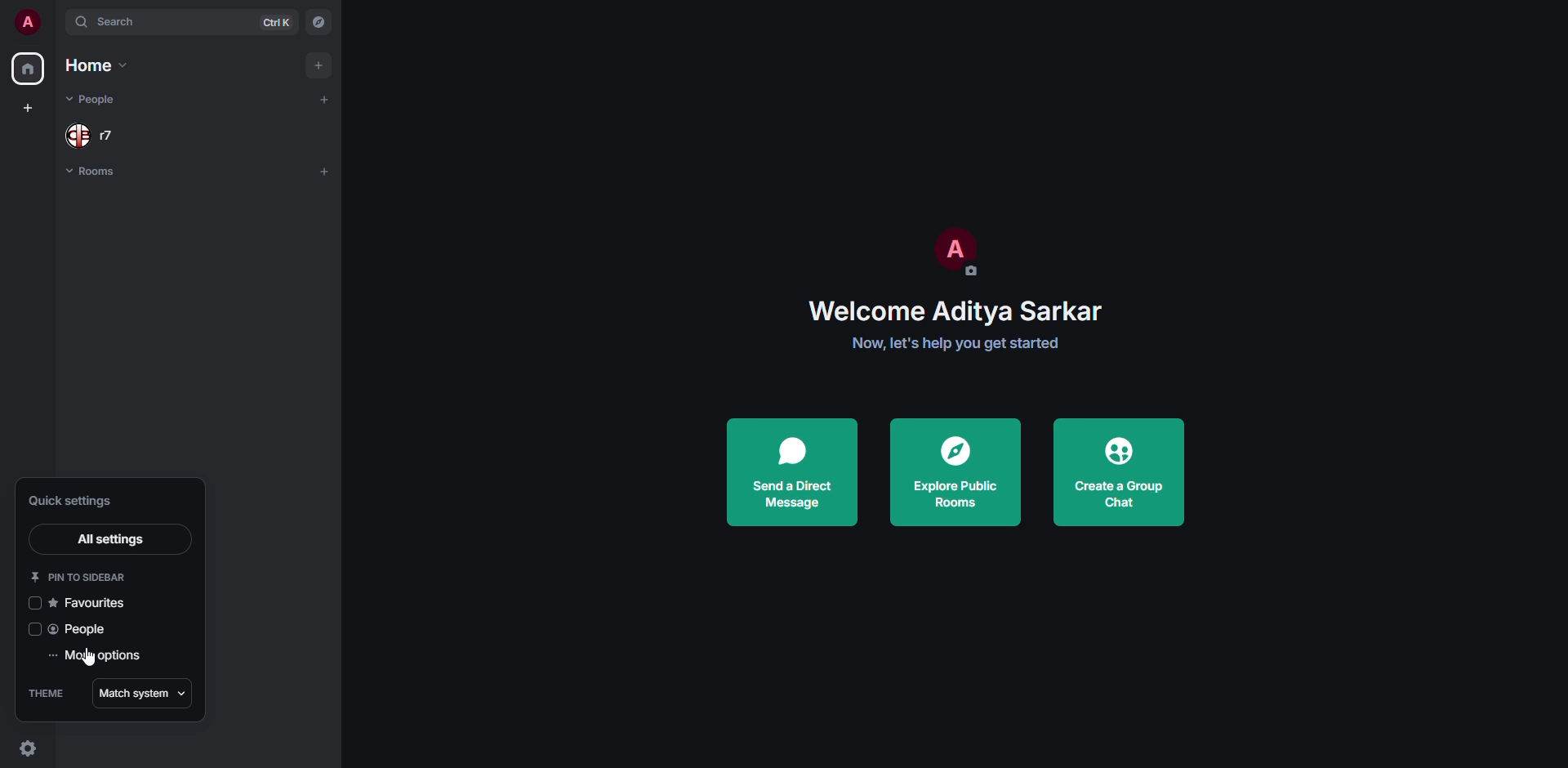 The width and height of the screenshot is (1568, 768). What do you see at coordinates (95, 604) in the screenshot?
I see `favorites` at bounding box center [95, 604].